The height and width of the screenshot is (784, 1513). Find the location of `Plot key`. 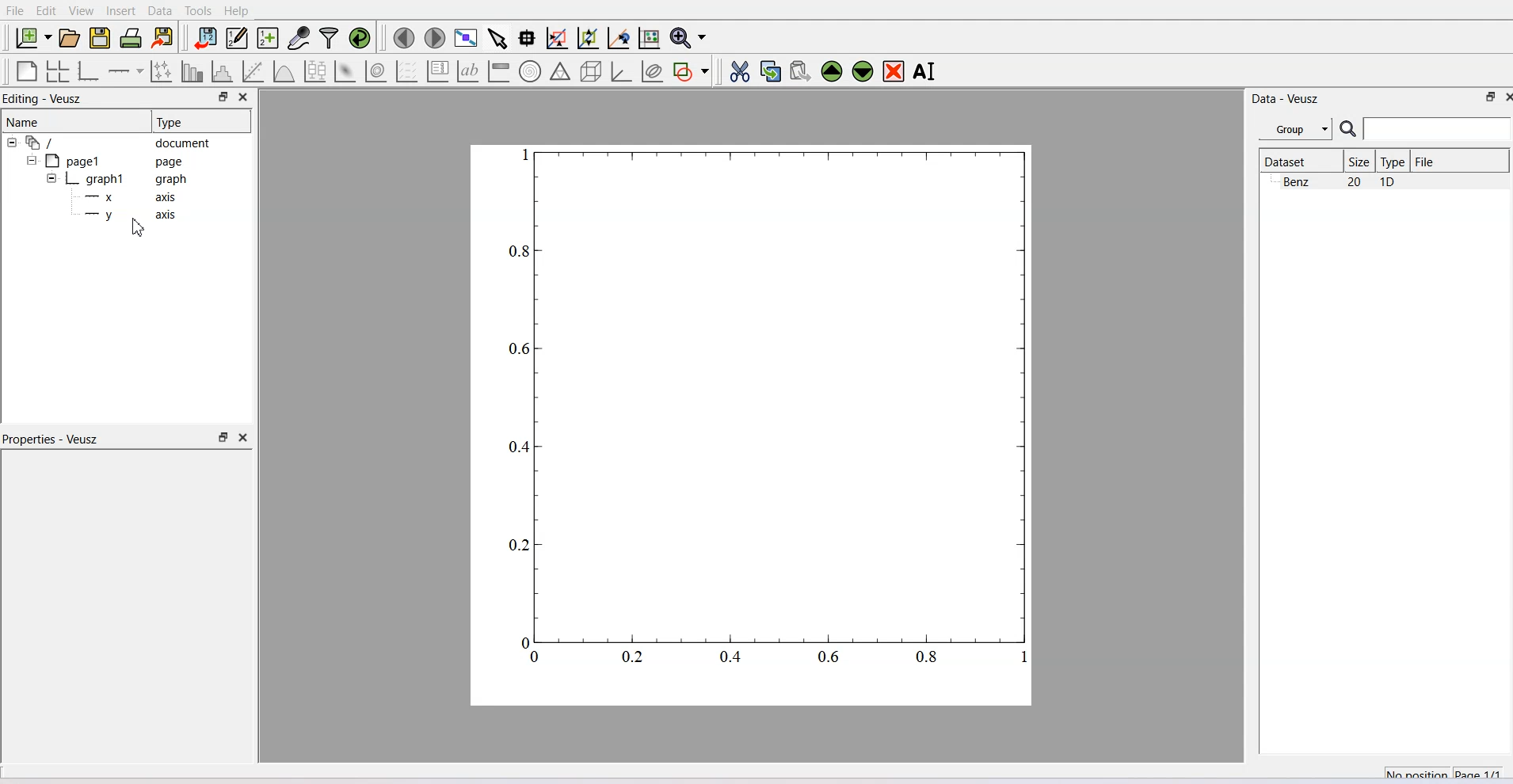

Plot key is located at coordinates (437, 71).